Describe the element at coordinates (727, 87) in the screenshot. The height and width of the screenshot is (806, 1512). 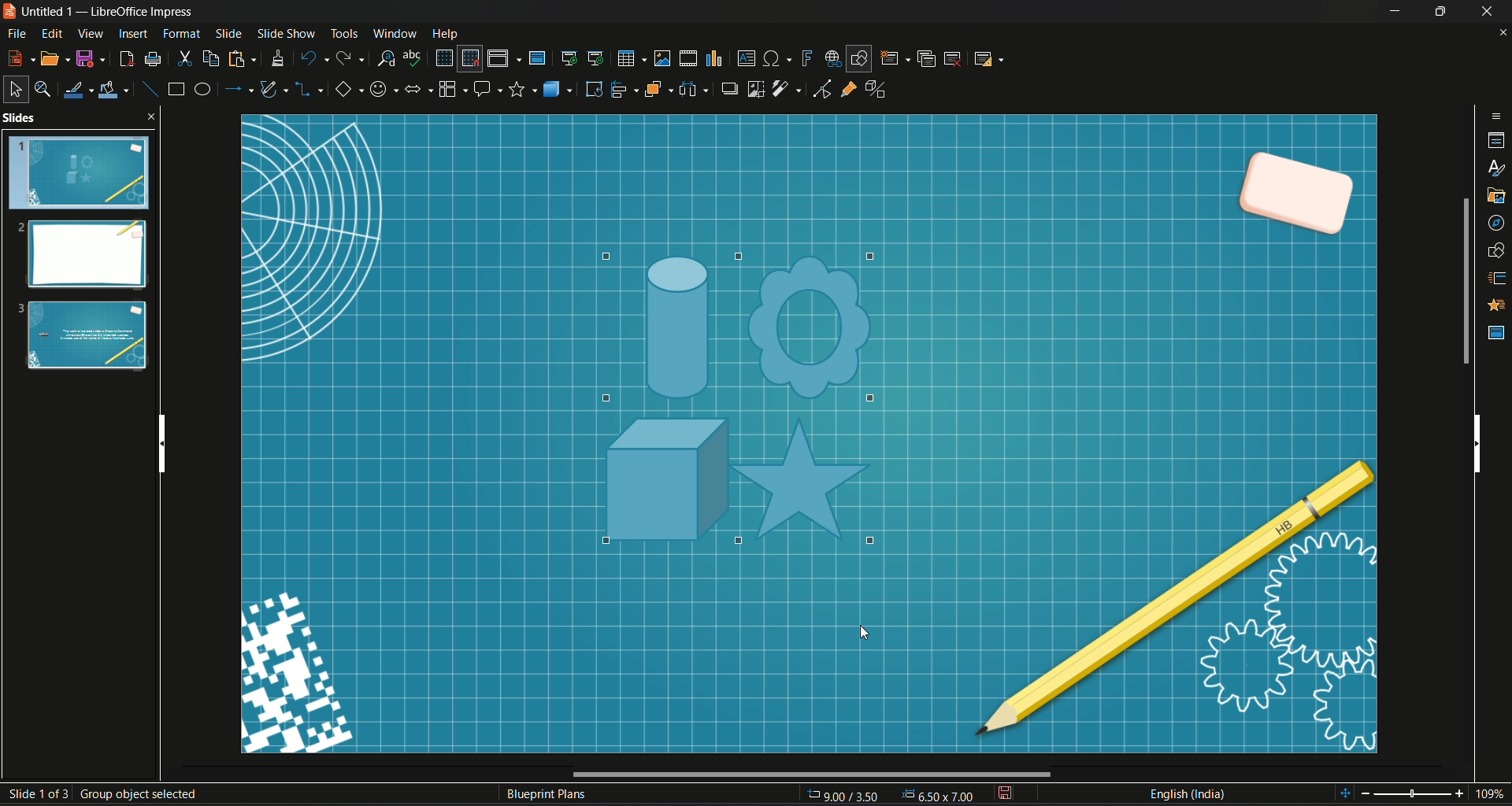
I see `shadow` at that location.